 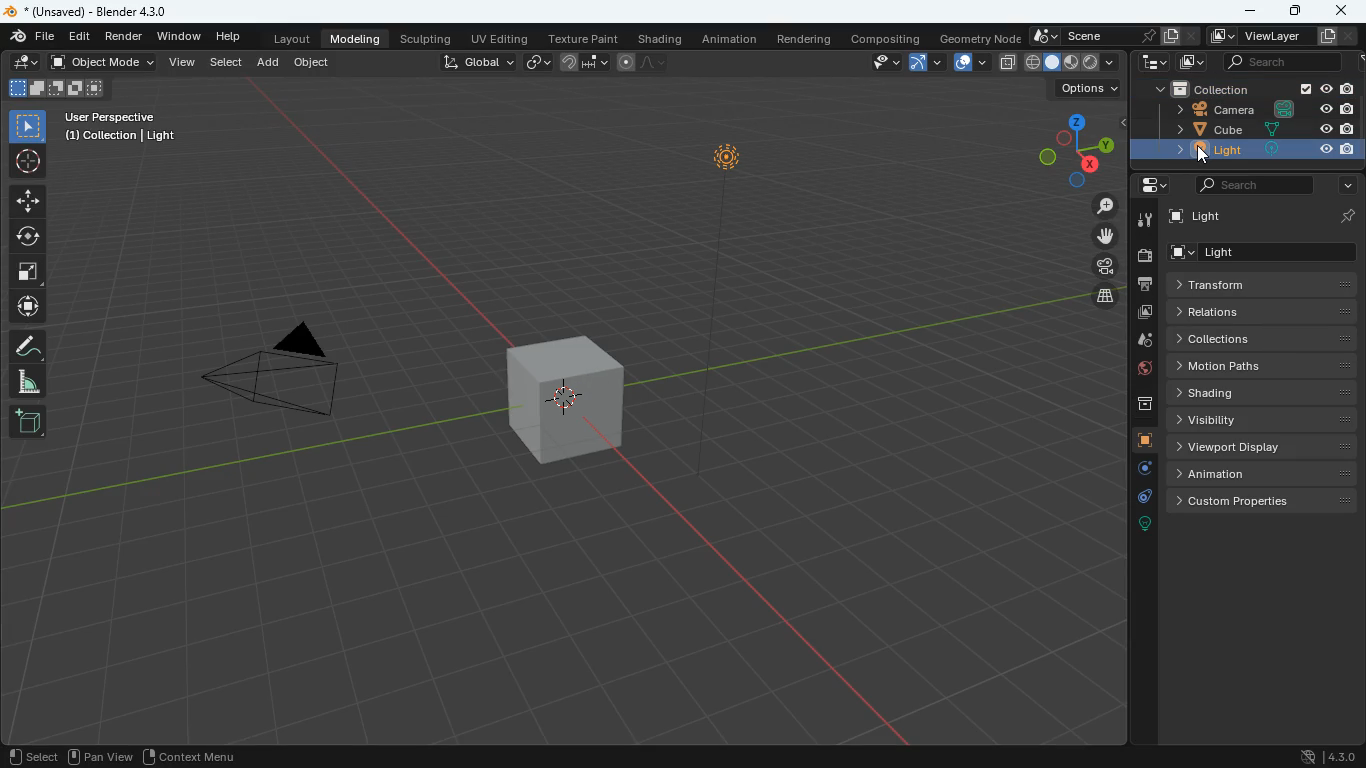 What do you see at coordinates (1252, 12) in the screenshot?
I see `minimize` at bounding box center [1252, 12].